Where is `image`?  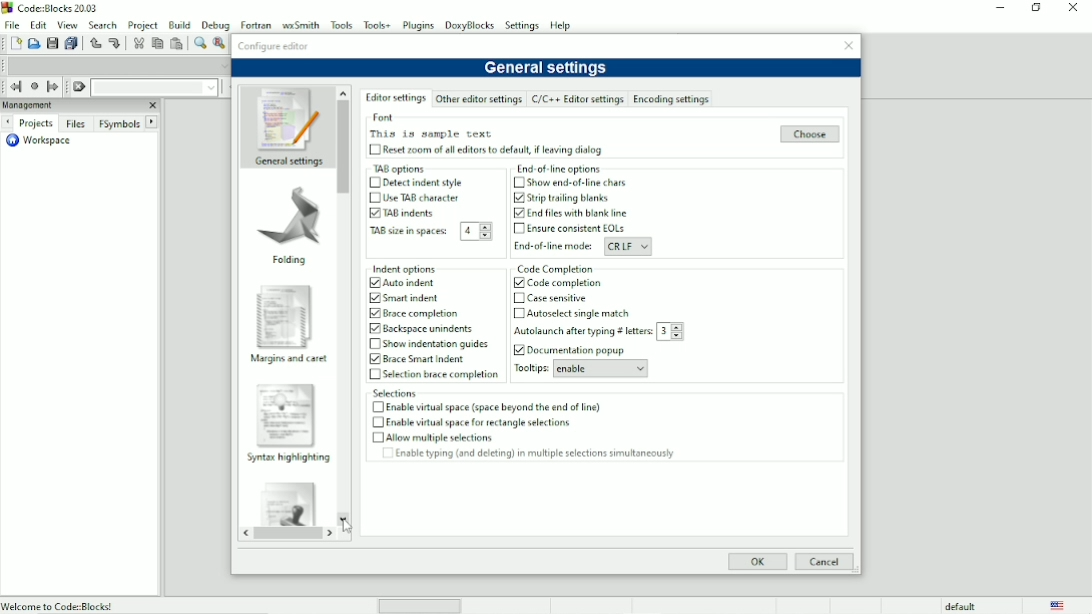
image is located at coordinates (284, 214).